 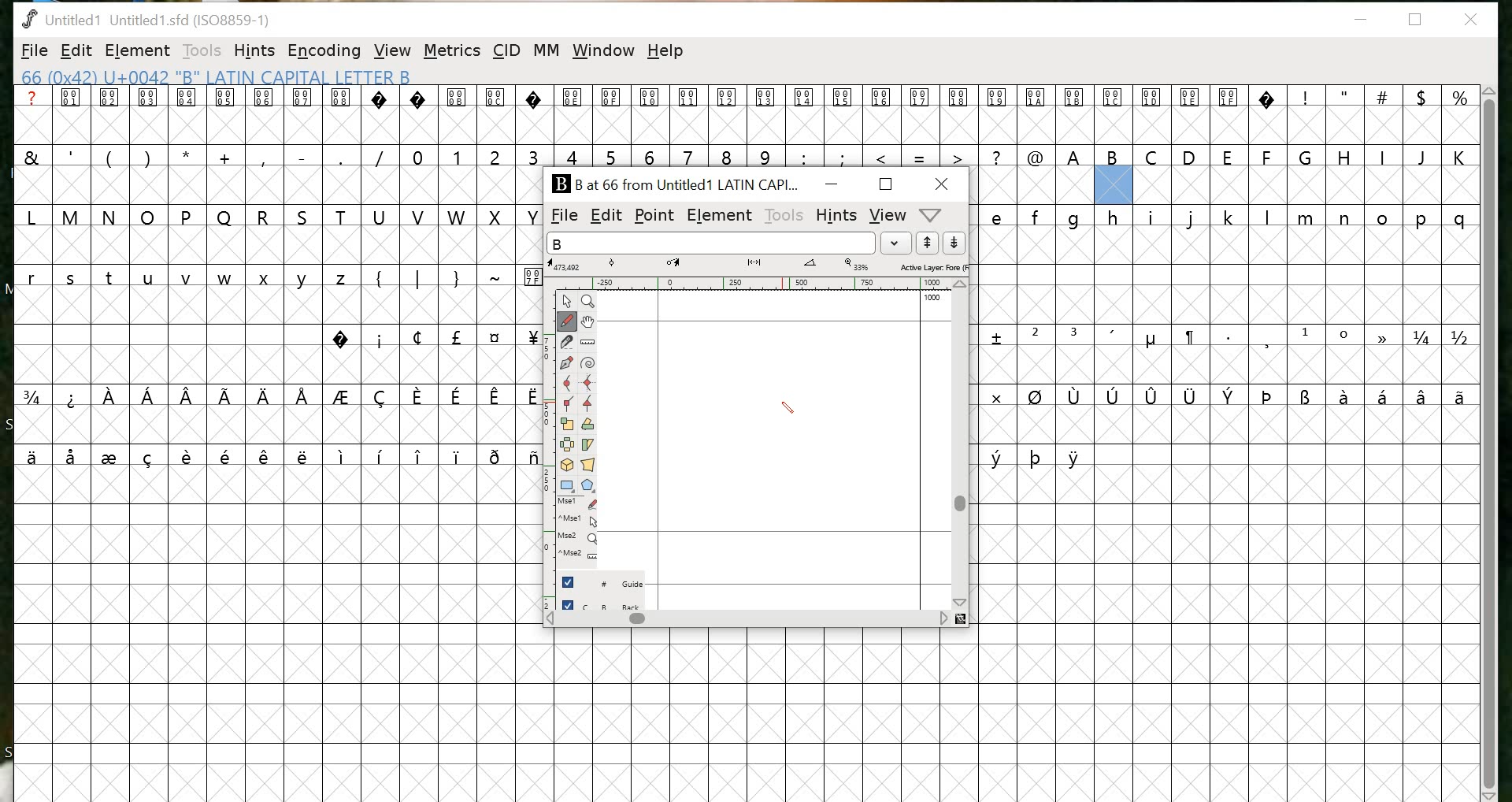 I want to click on down, so click(x=957, y=243).